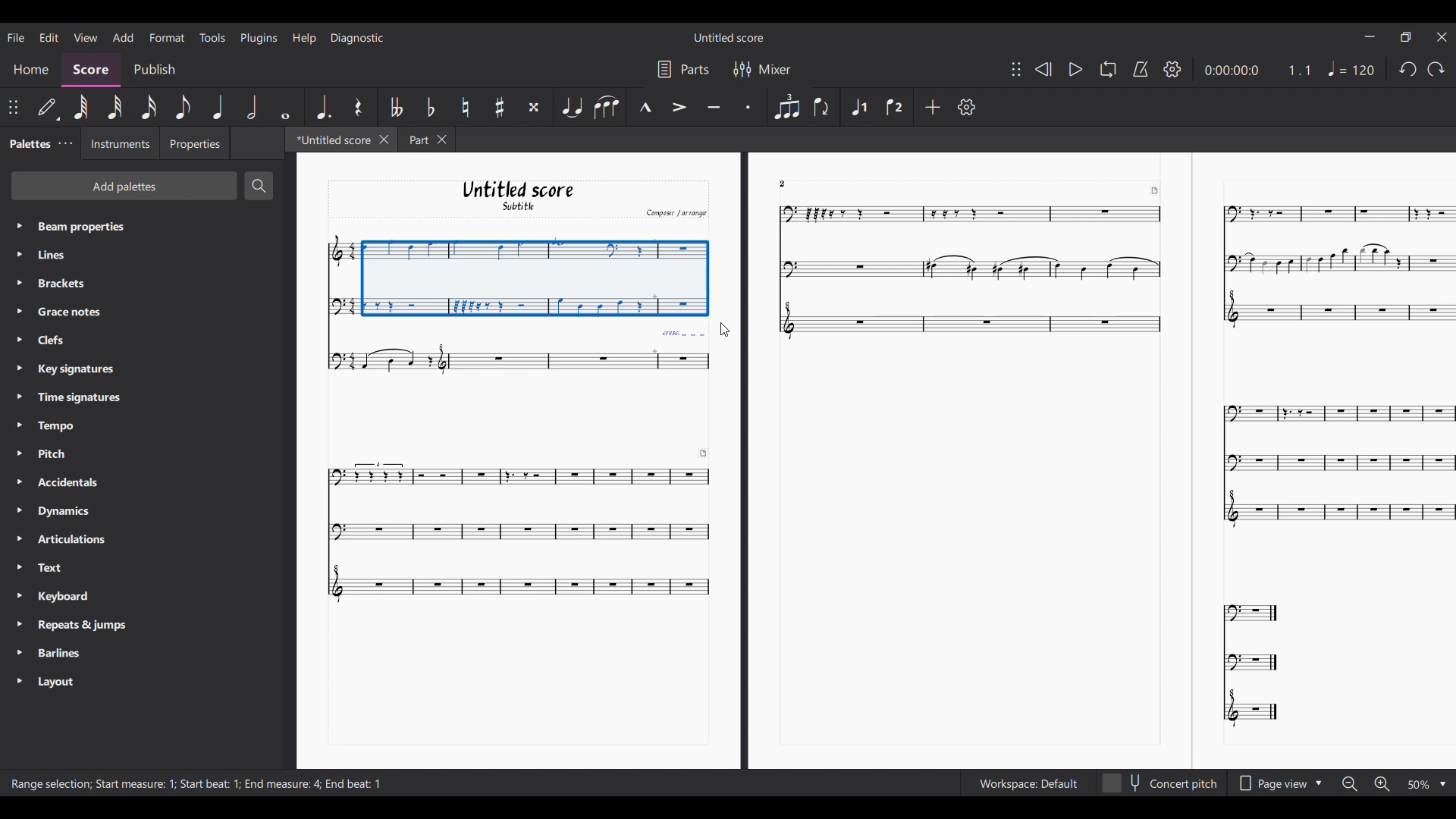  Describe the element at coordinates (695, 69) in the screenshot. I see `Parts` at that location.